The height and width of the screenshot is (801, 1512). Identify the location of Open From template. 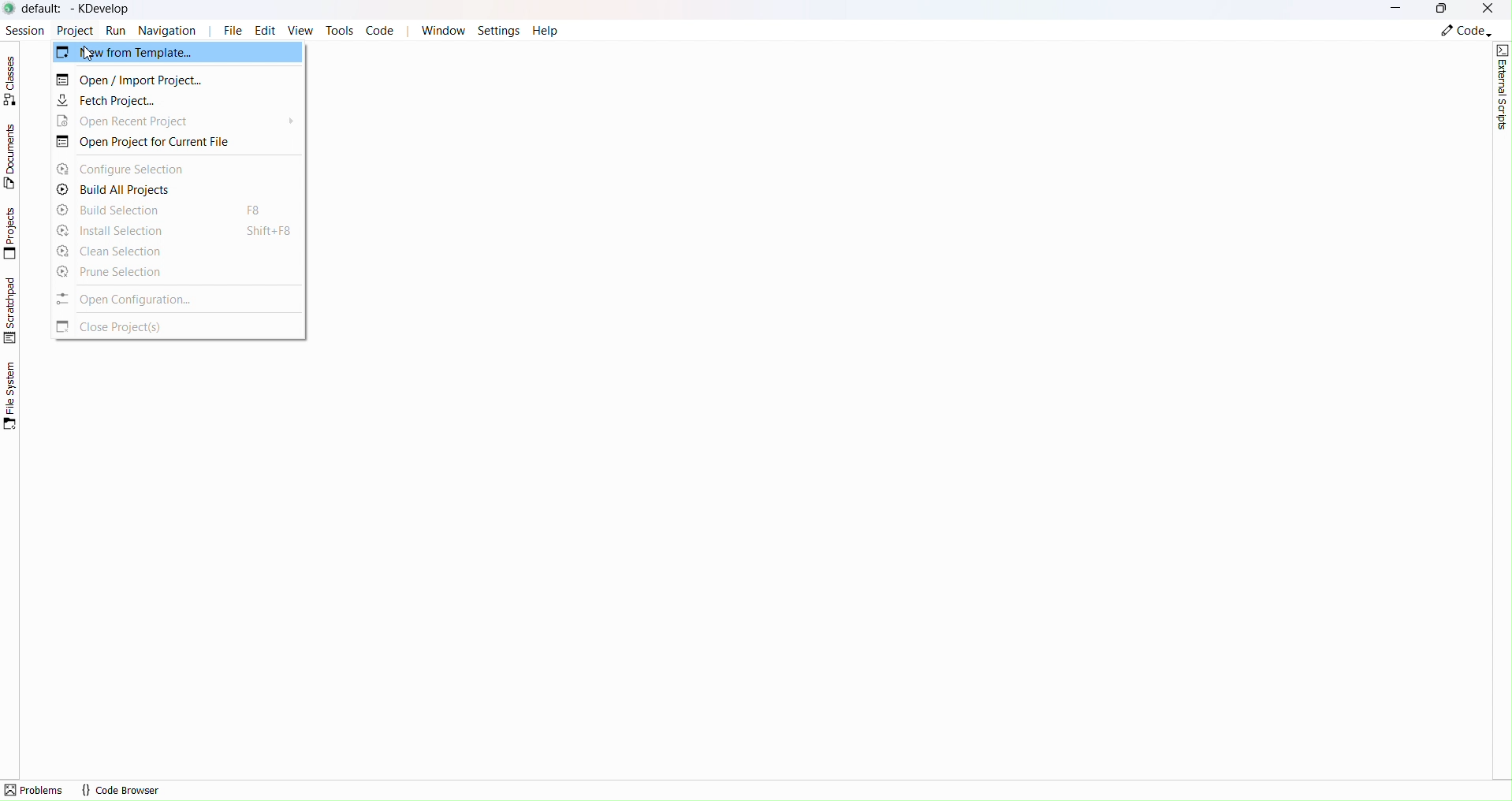
(177, 52).